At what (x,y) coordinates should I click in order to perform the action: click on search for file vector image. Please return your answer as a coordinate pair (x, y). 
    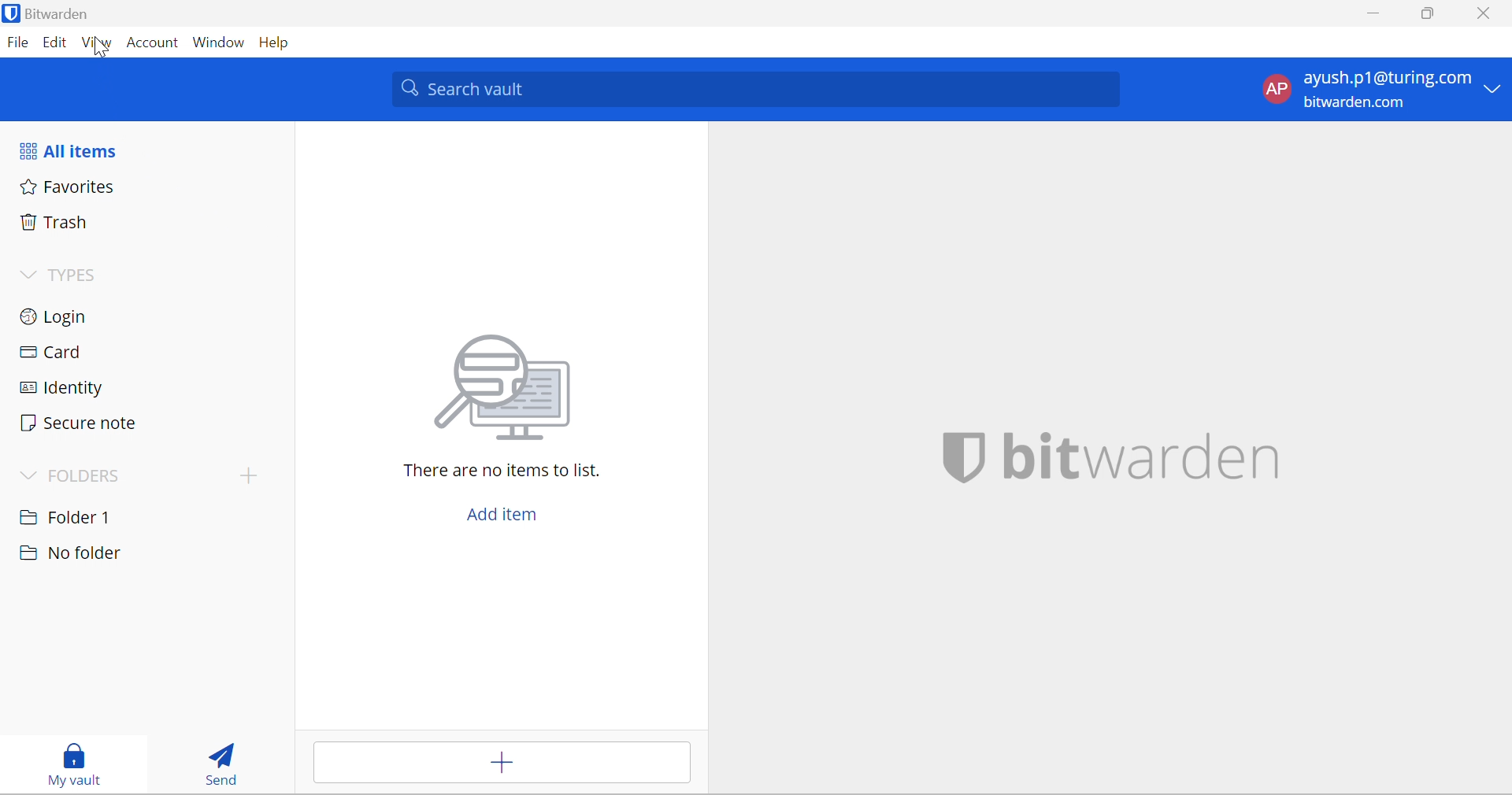
    Looking at the image, I should click on (498, 388).